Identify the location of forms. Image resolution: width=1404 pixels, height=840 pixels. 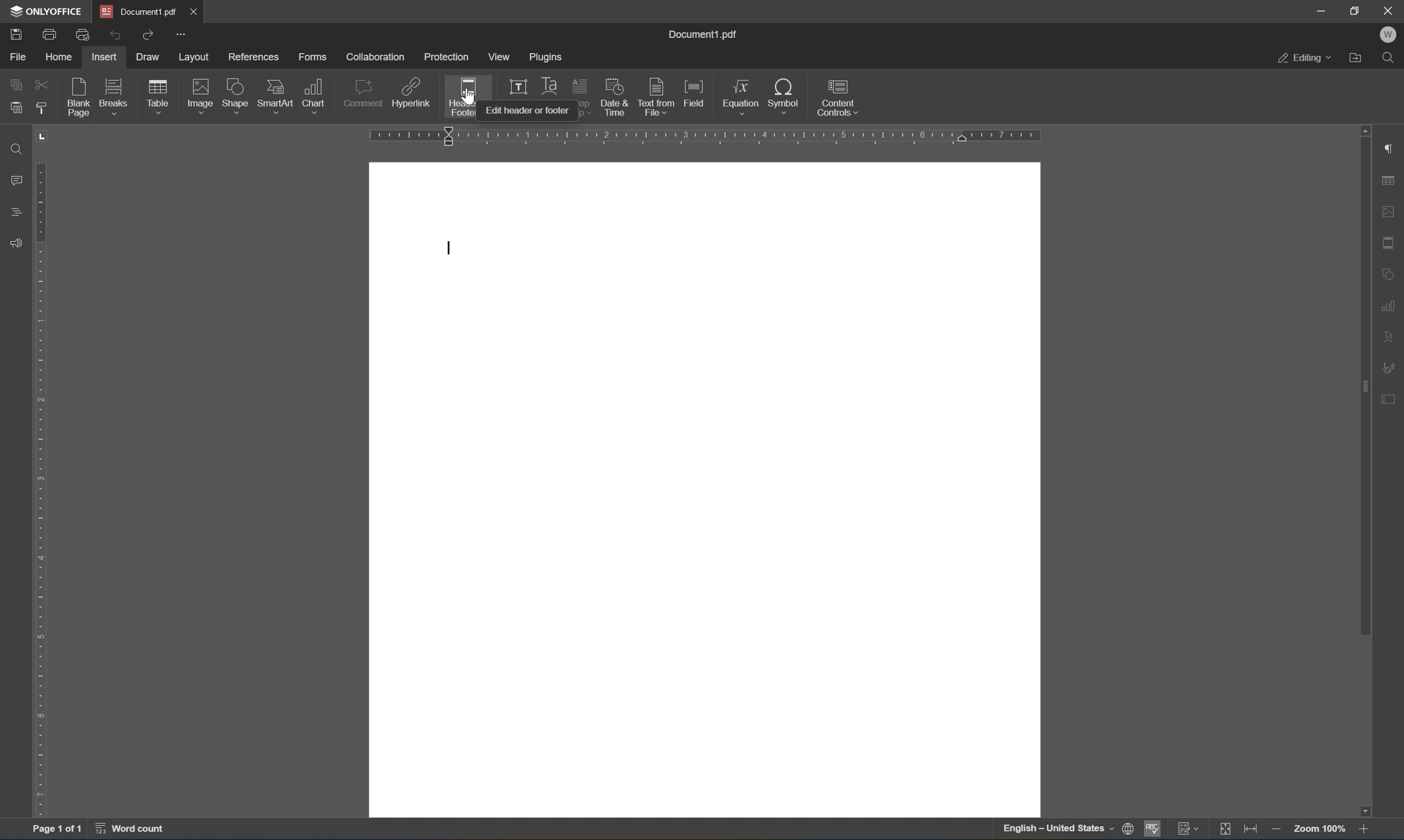
(313, 56).